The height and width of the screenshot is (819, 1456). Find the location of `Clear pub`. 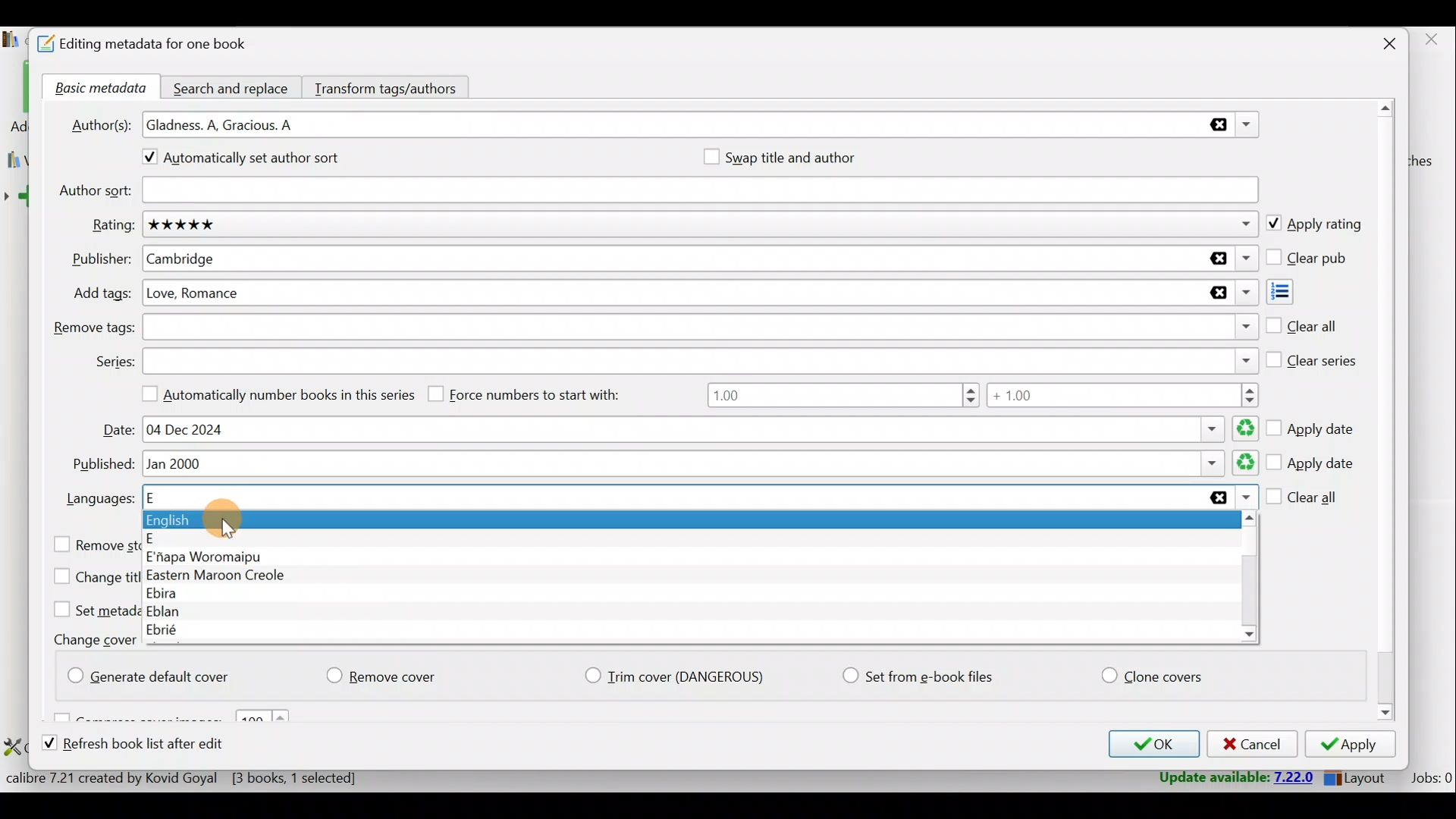

Clear pub is located at coordinates (1310, 259).